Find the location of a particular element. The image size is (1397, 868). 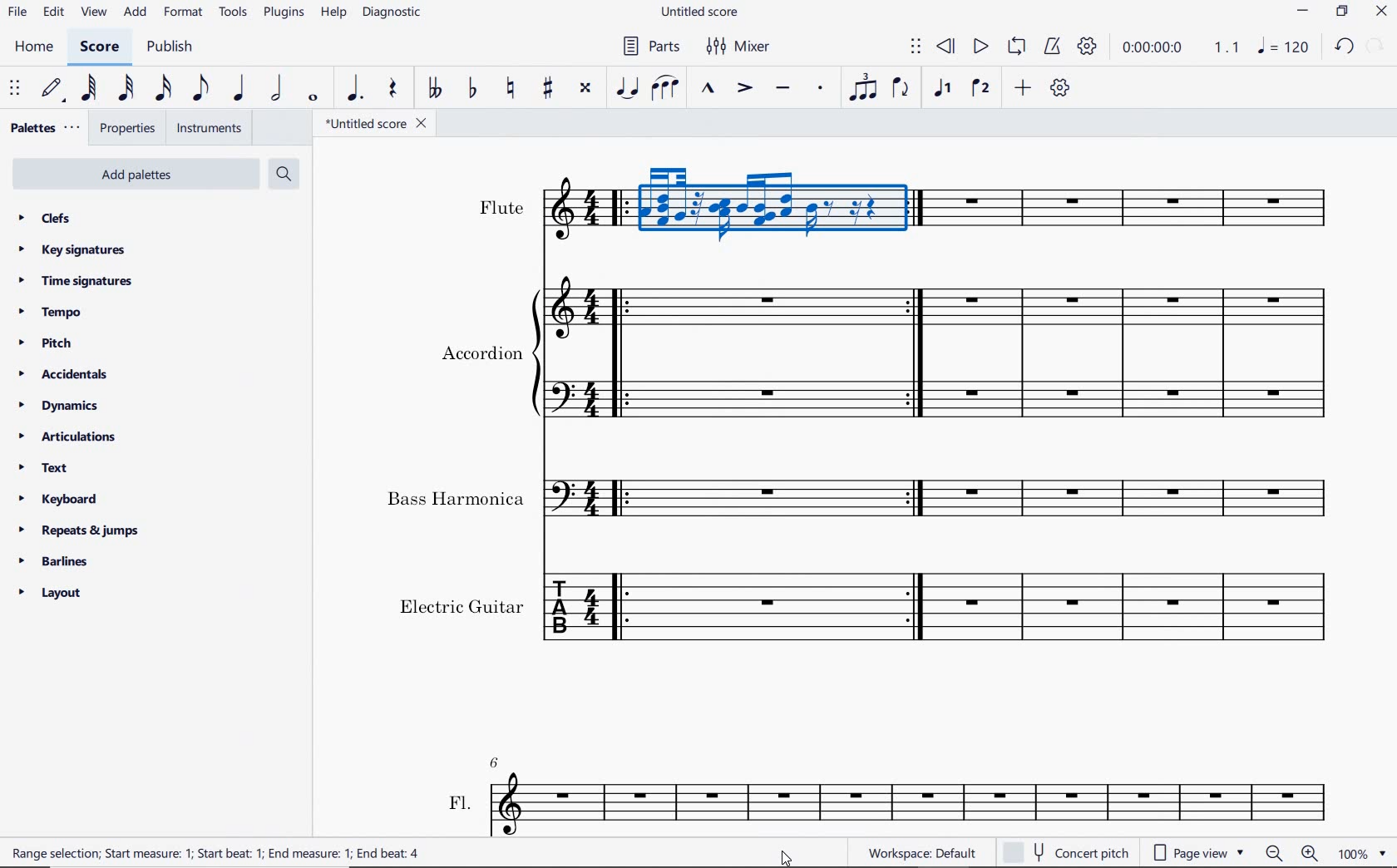

dynamics is located at coordinates (61, 405).